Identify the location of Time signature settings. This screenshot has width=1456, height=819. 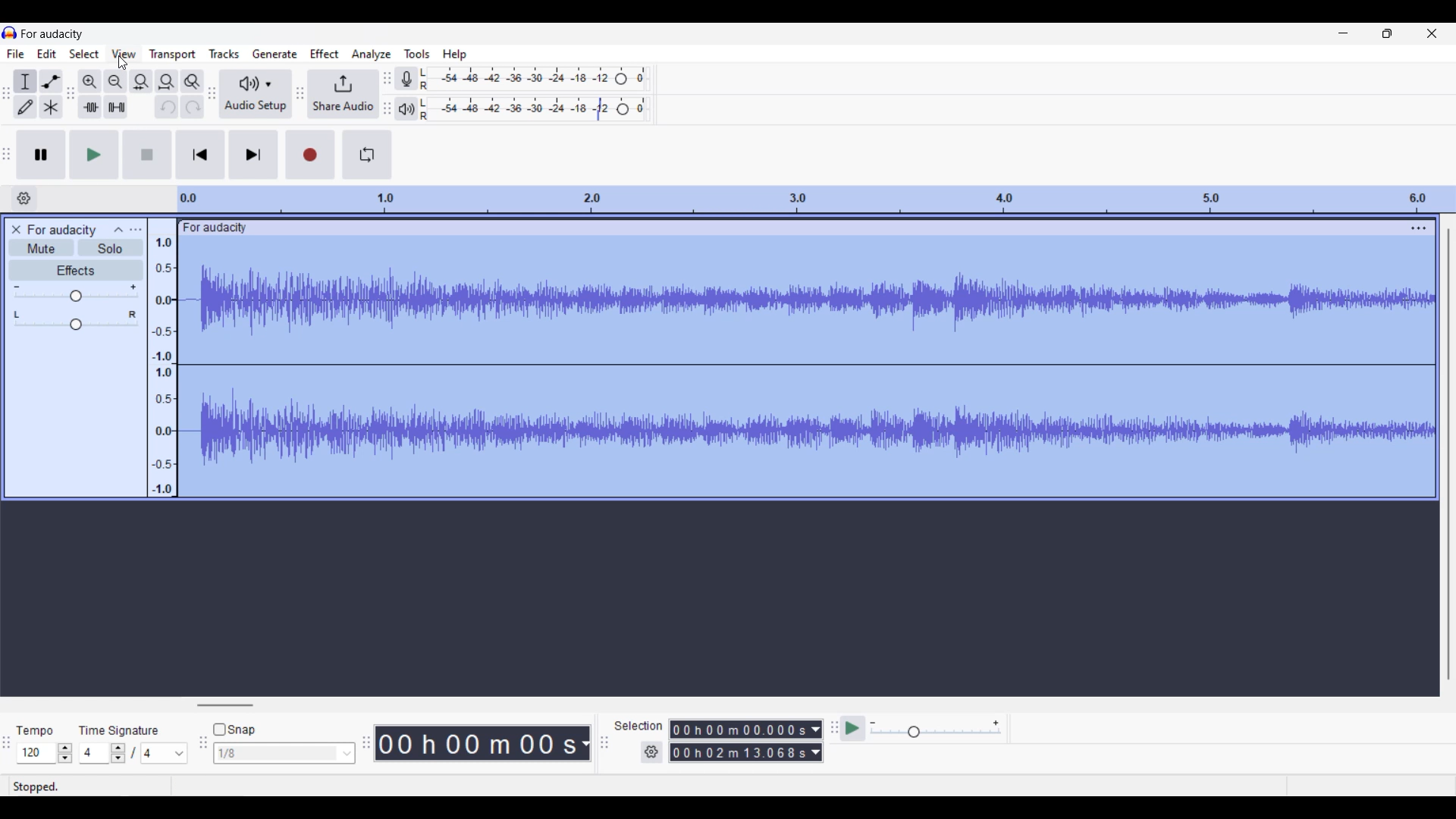
(133, 753).